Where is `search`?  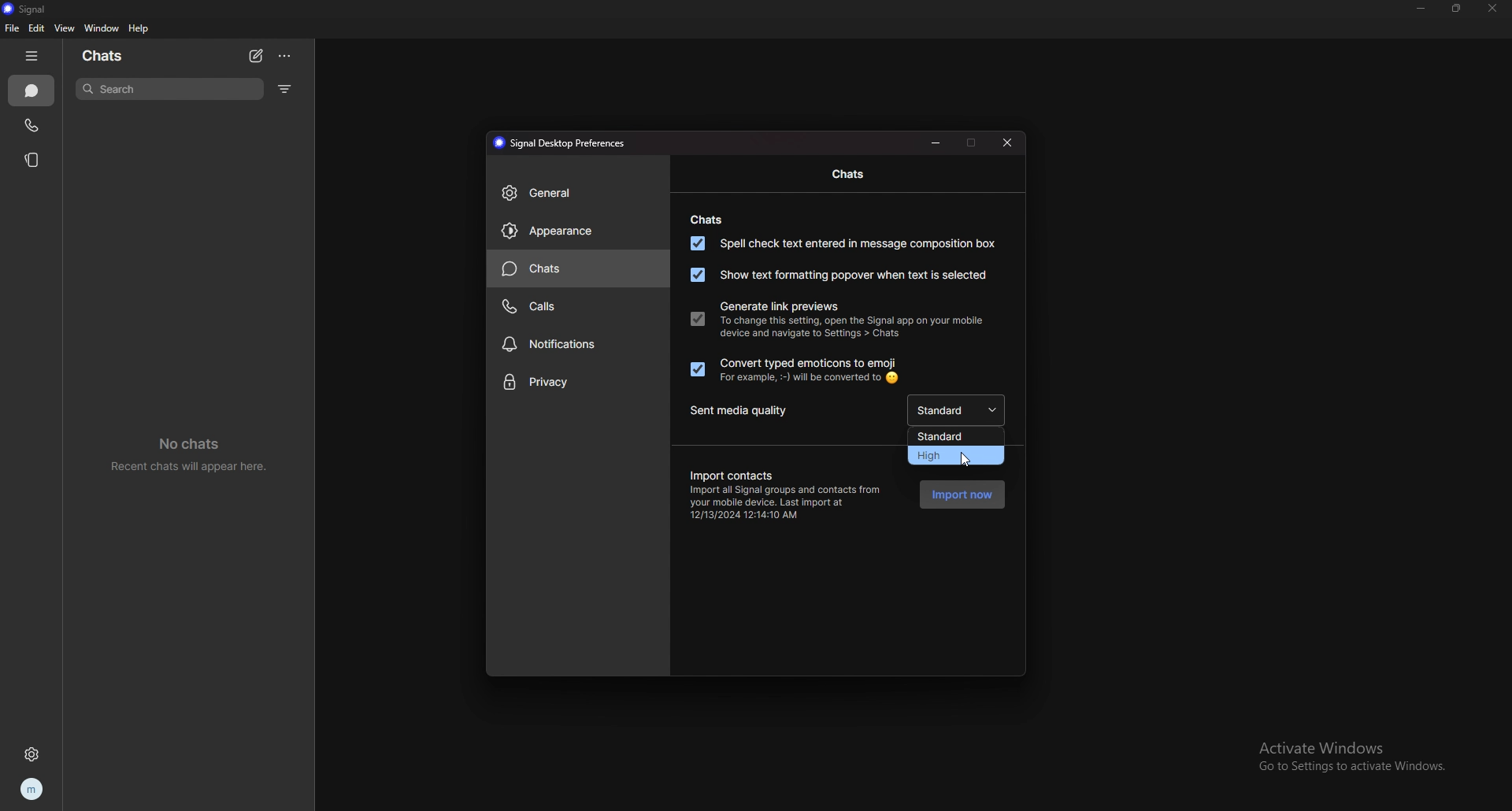
search is located at coordinates (169, 89).